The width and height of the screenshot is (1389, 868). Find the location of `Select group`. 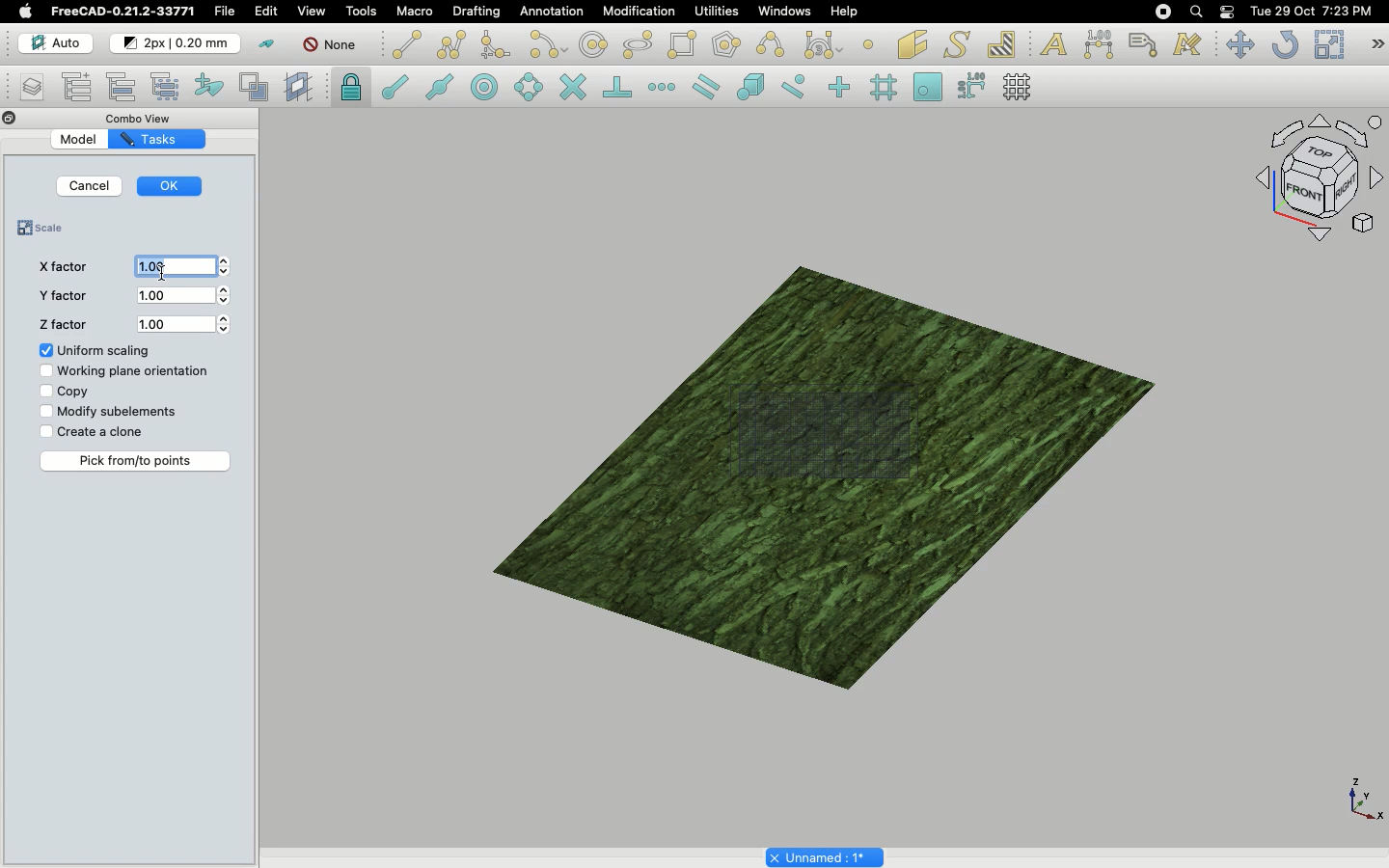

Select group is located at coordinates (168, 86).